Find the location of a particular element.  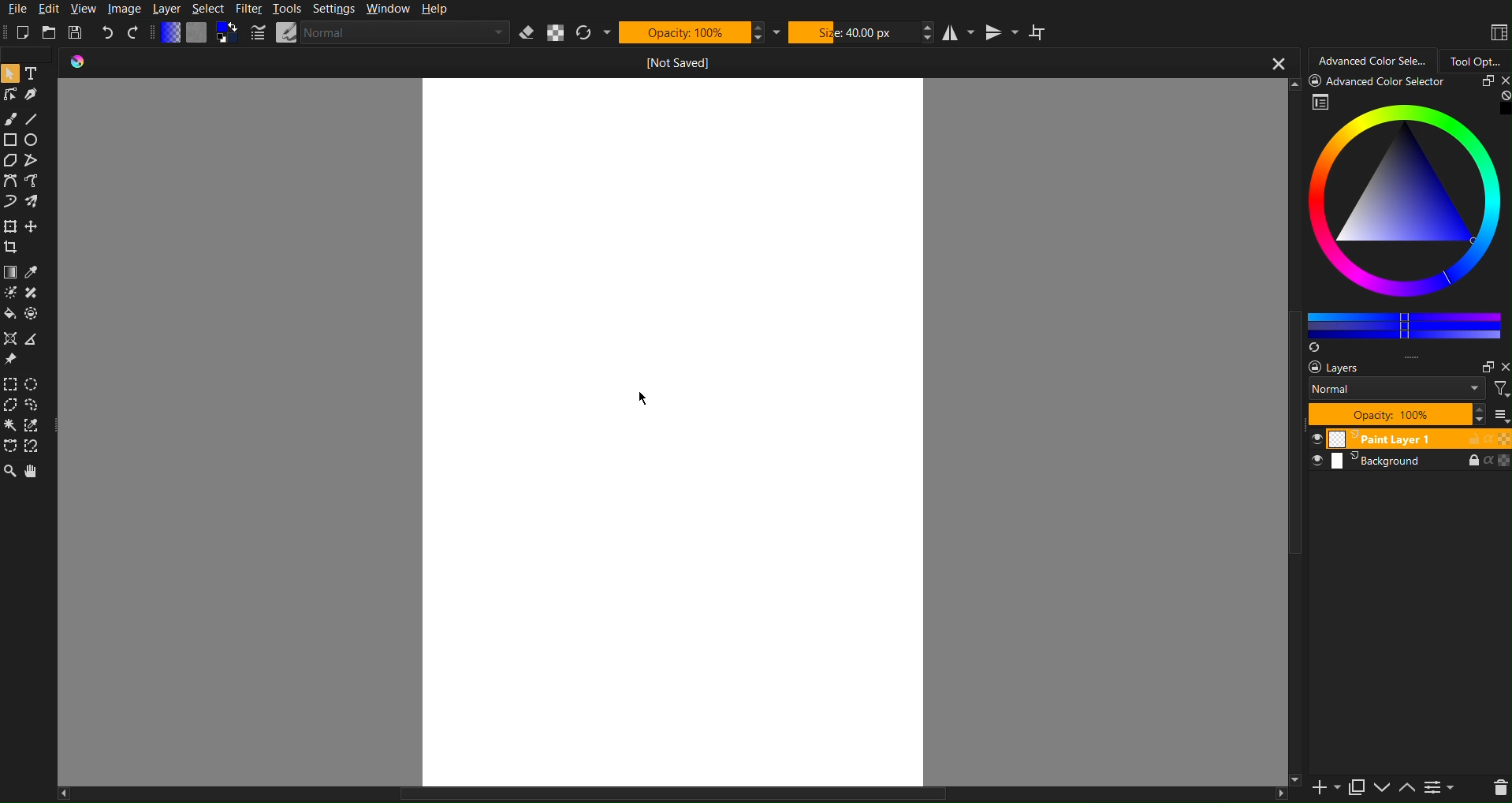

Settings is located at coordinates (333, 9).